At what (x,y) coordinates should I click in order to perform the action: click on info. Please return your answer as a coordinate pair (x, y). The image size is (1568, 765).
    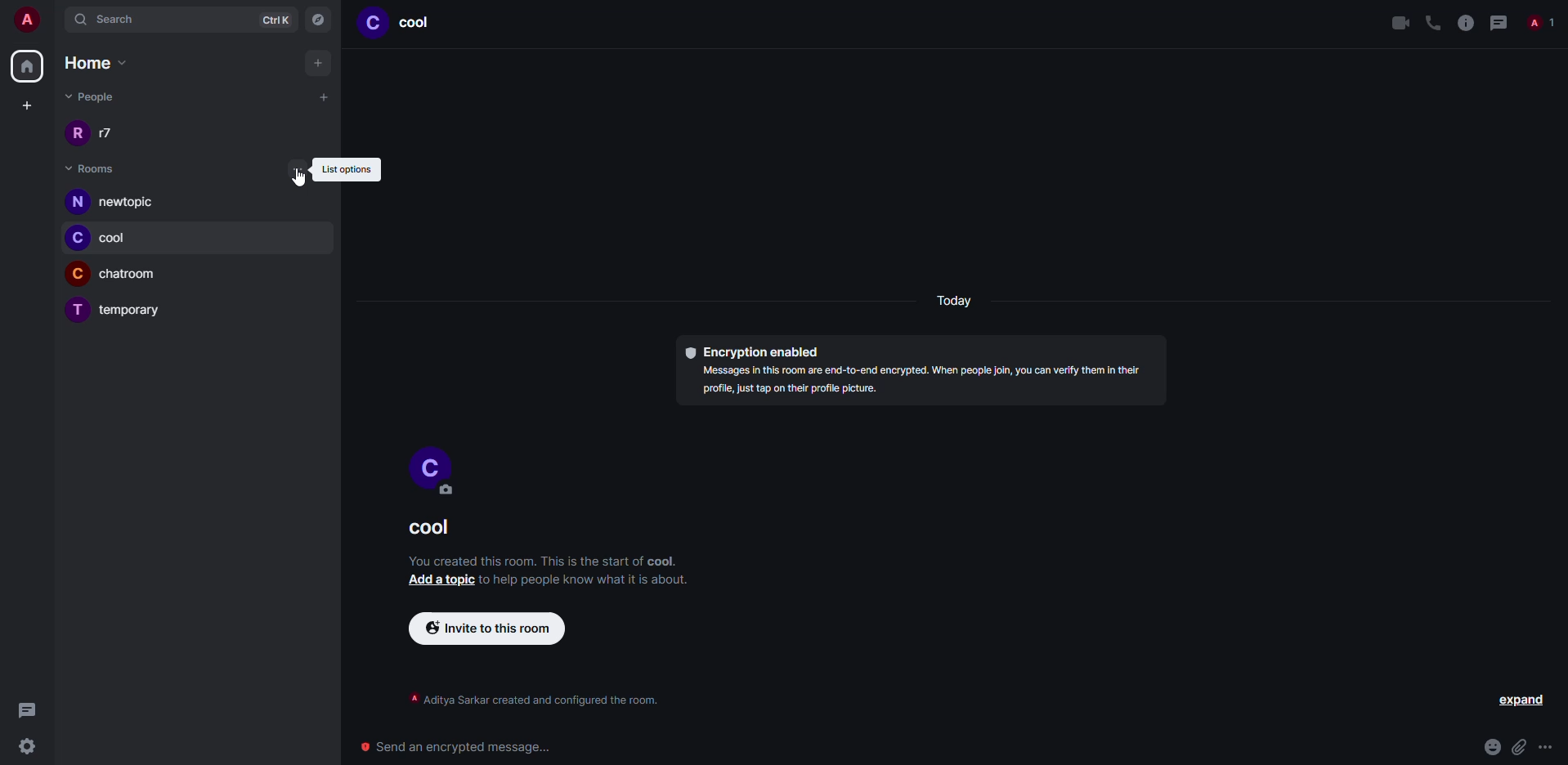
    Looking at the image, I should click on (1463, 22).